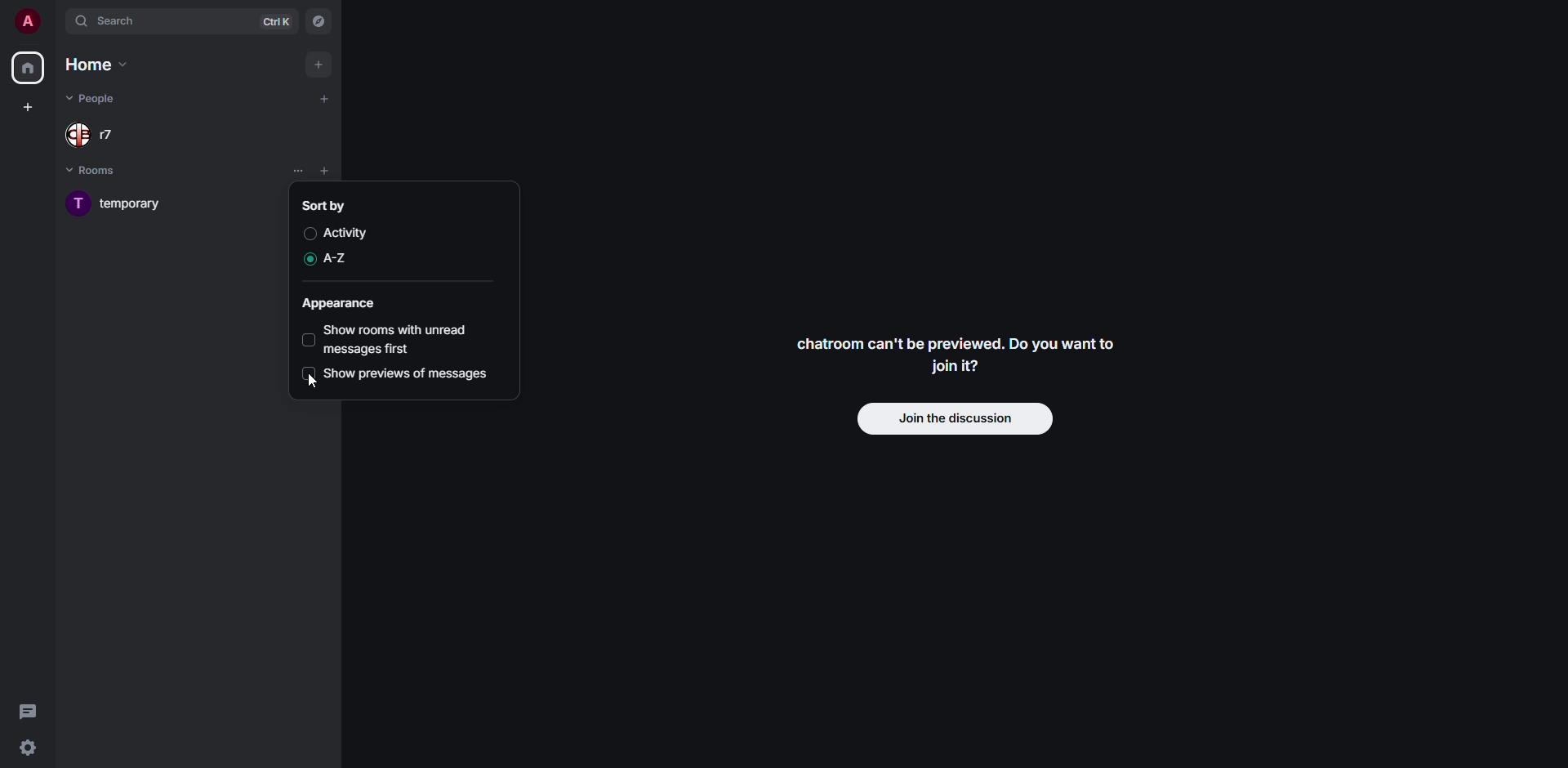 The image size is (1568, 768). I want to click on rooms, so click(100, 169).